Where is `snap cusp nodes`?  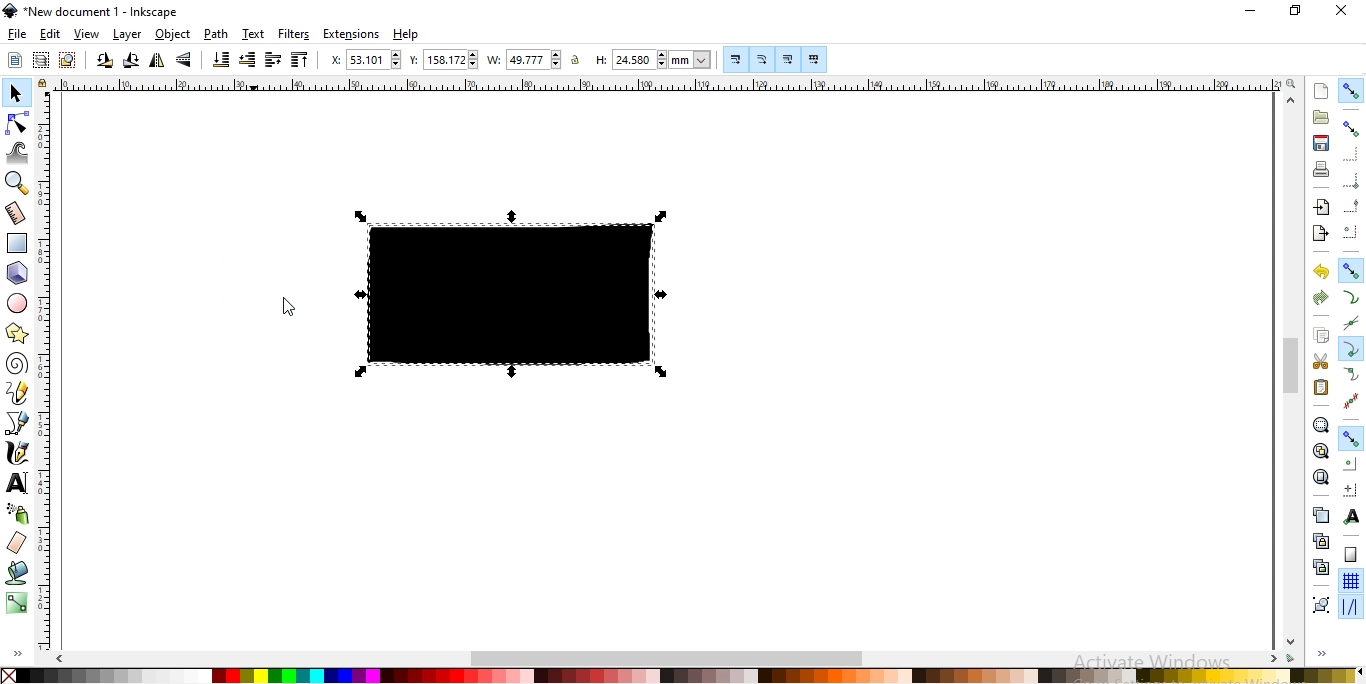 snap cusp nodes is located at coordinates (1350, 348).